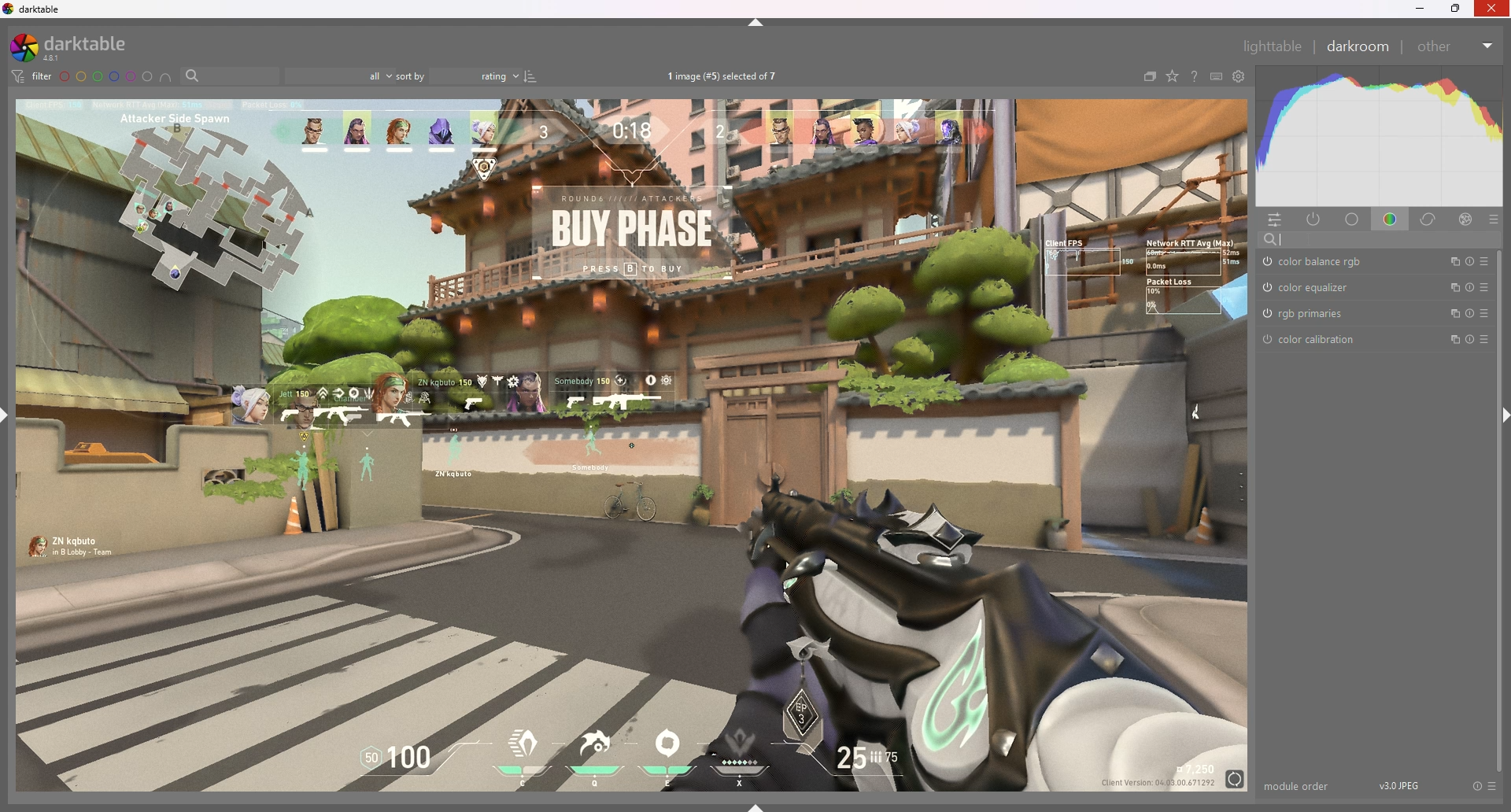 The width and height of the screenshot is (1511, 812). I want to click on active module, so click(1316, 220).